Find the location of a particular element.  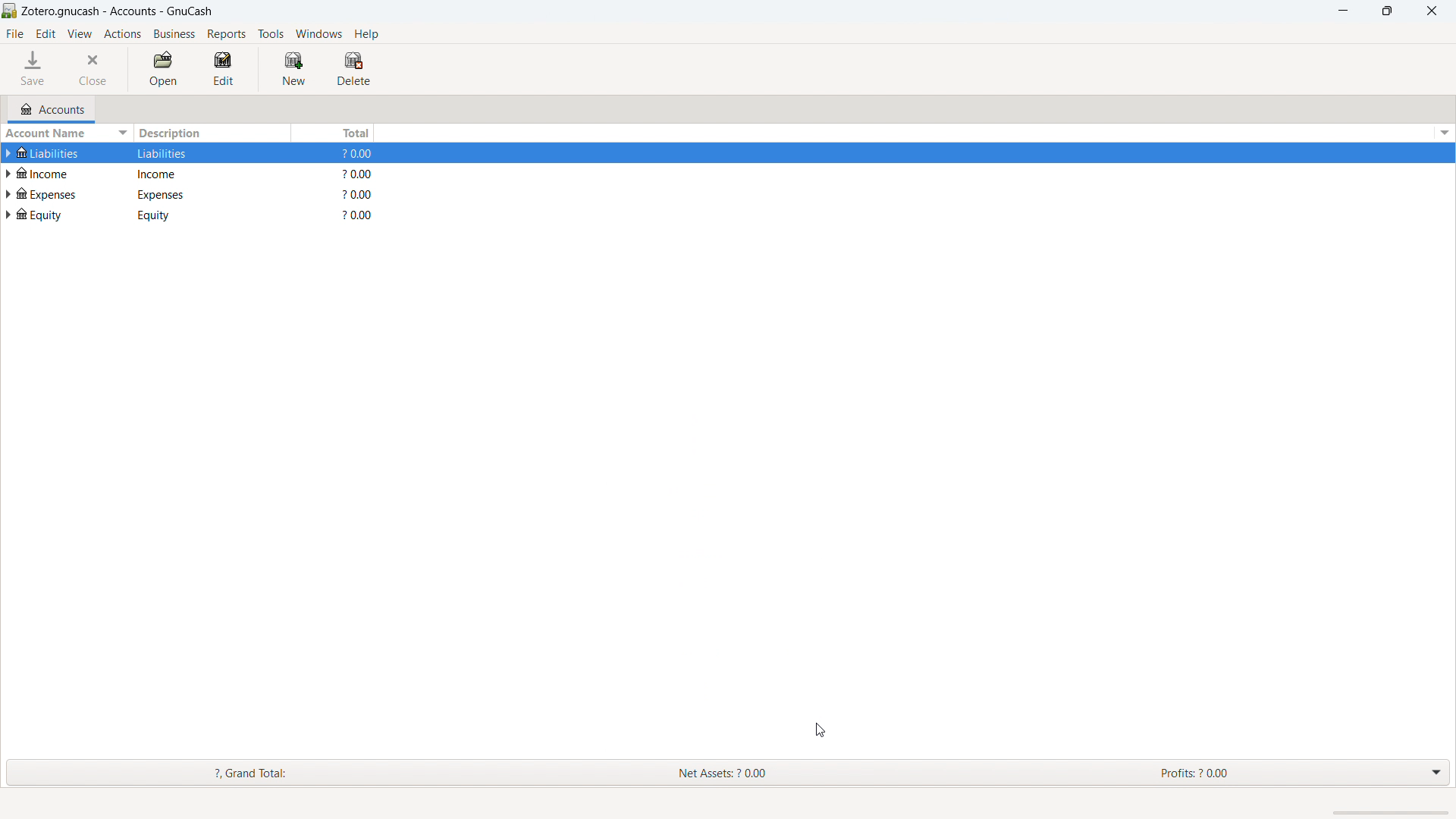

edit is located at coordinates (227, 69).